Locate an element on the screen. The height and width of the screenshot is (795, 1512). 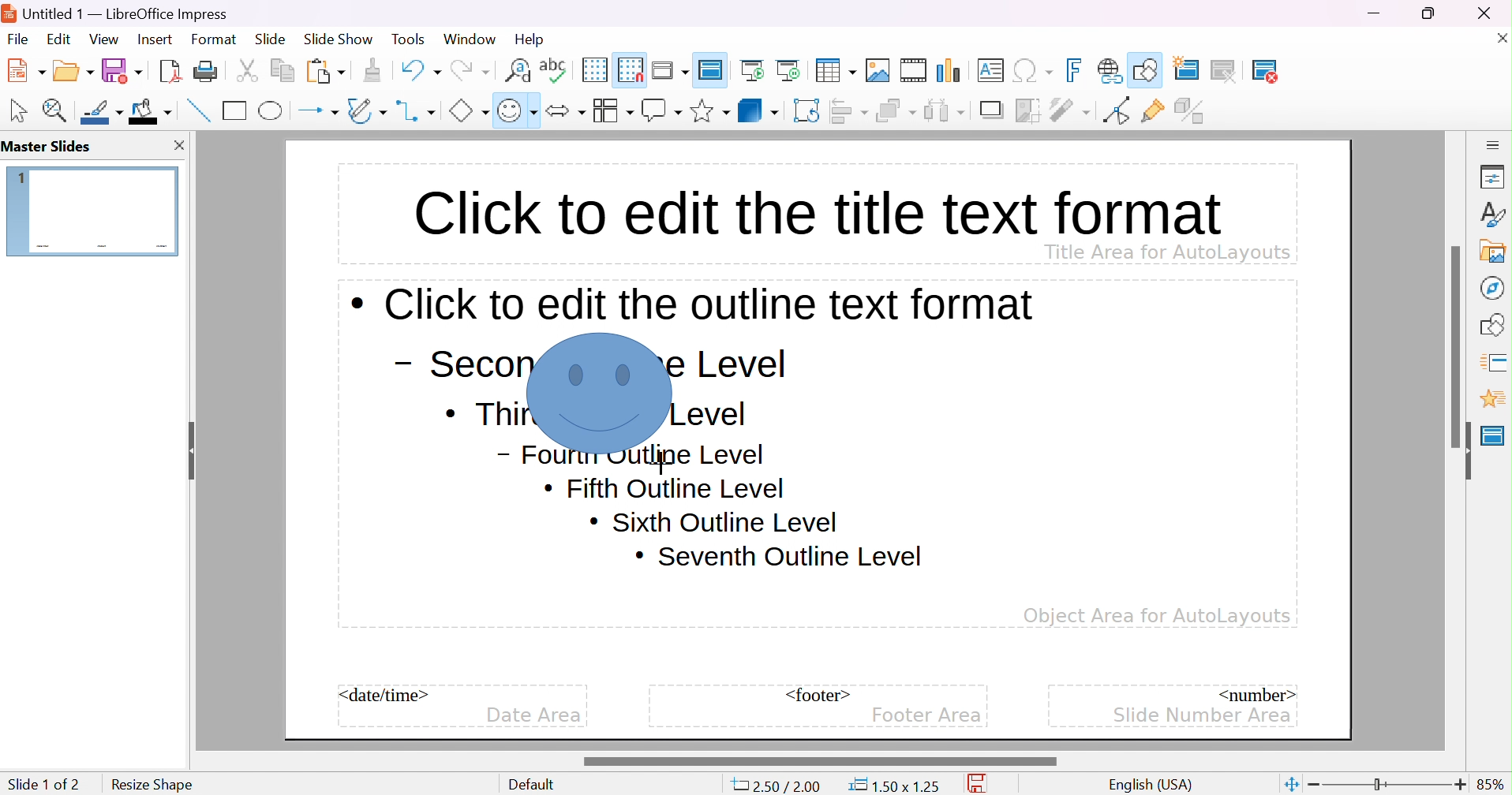
insert is located at coordinates (153, 38).